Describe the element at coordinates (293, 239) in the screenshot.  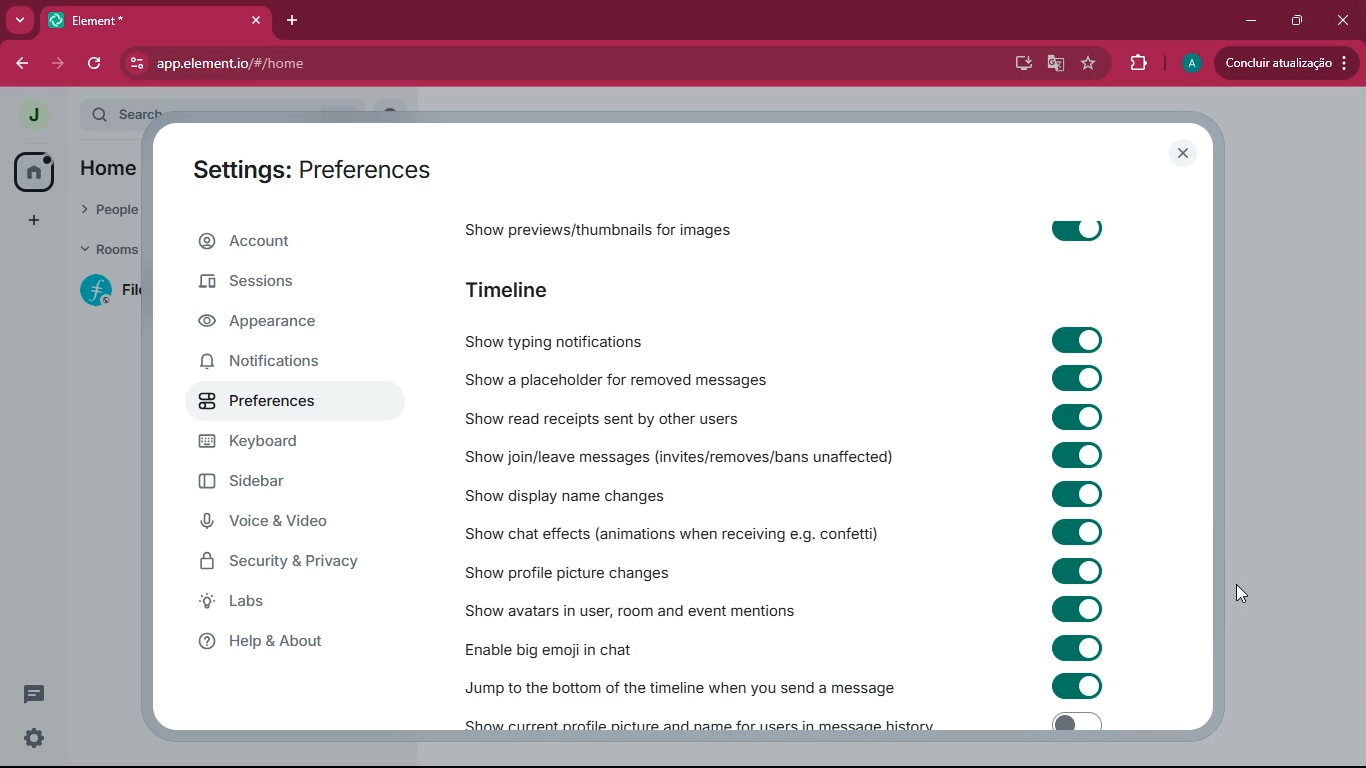
I see `account` at that location.